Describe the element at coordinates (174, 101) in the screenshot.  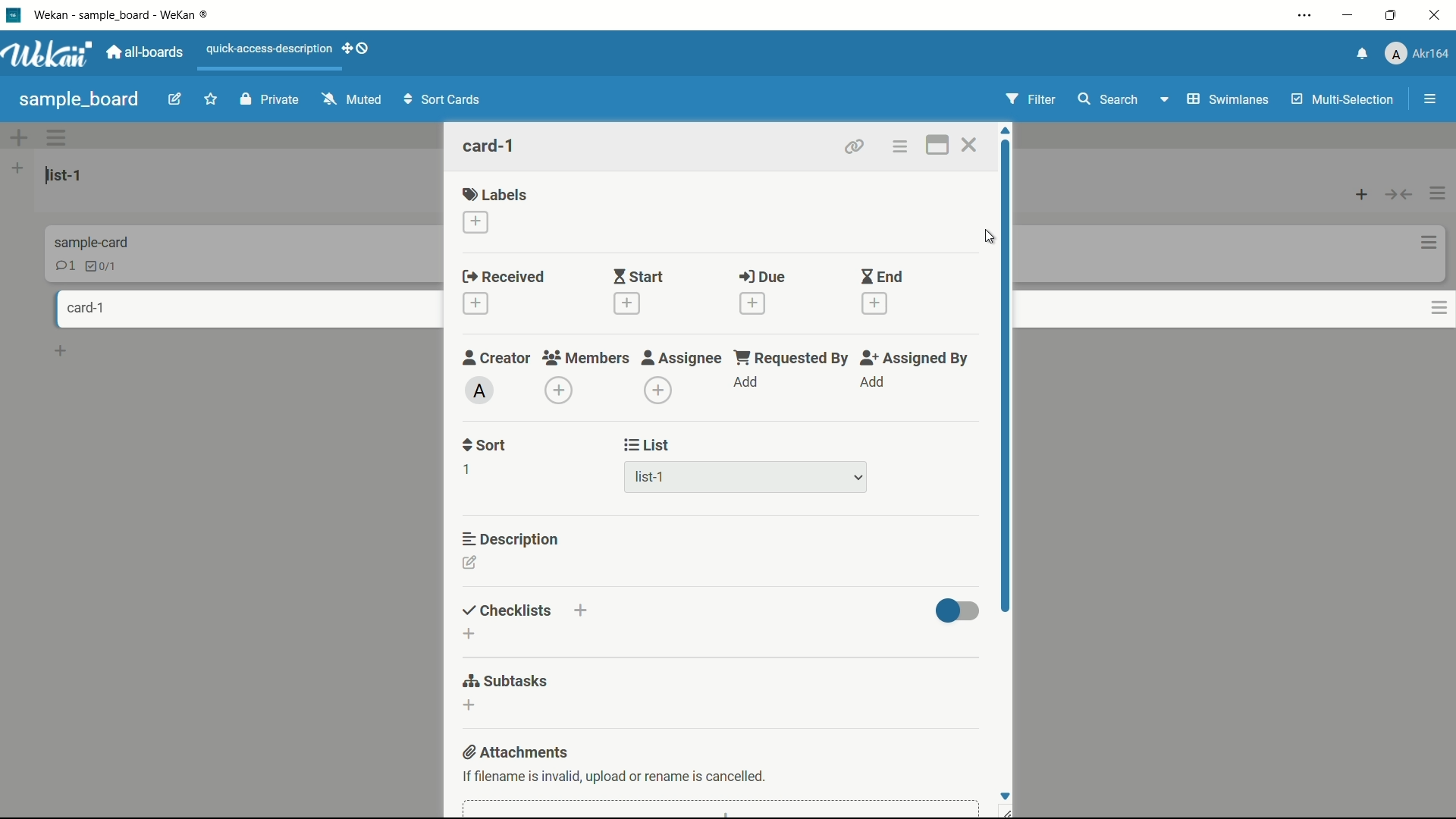
I see `edit` at that location.